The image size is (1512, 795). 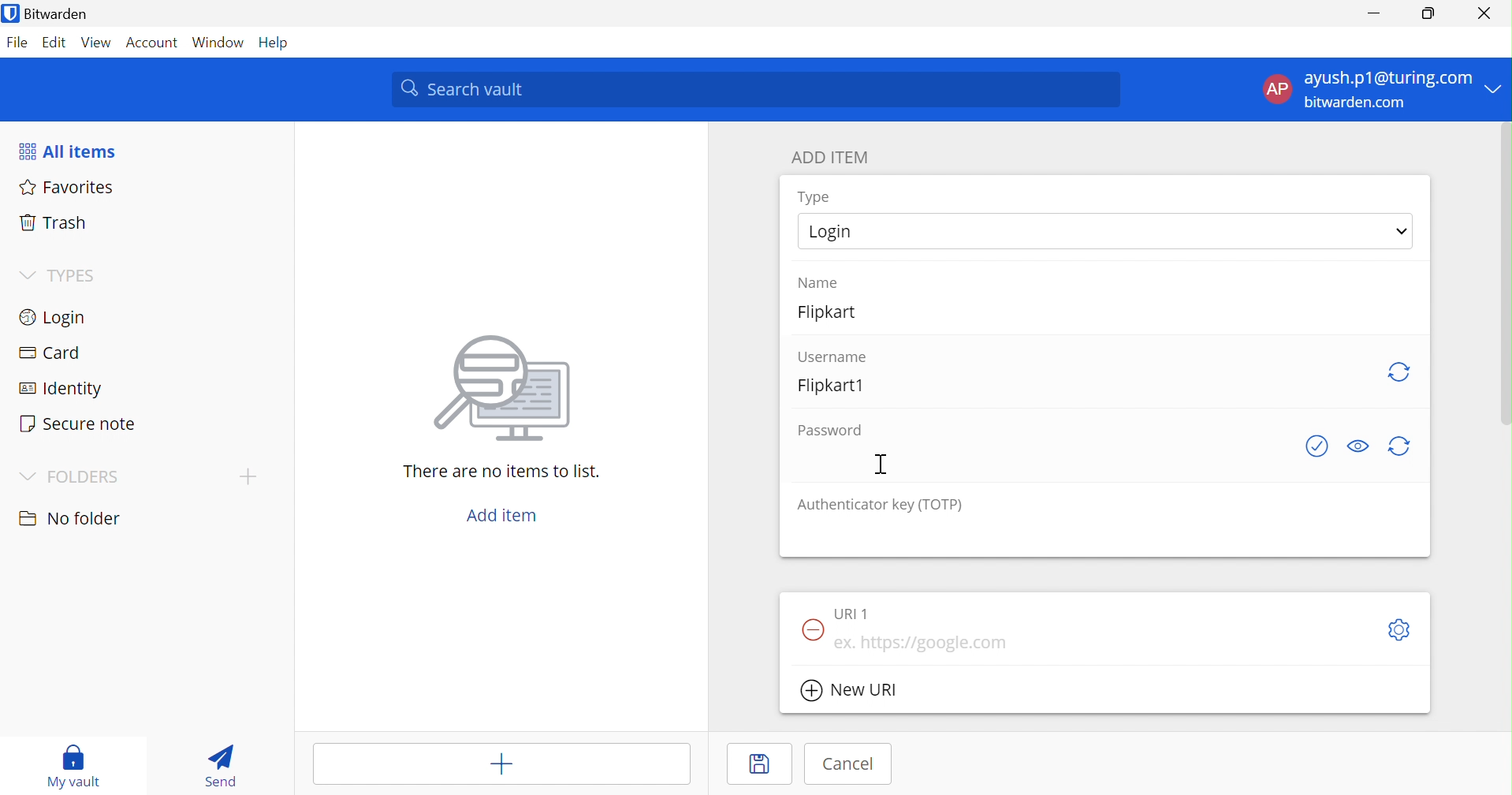 What do you see at coordinates (220, 43) in the screenshot?
I see `Windows` at bounding box center [220, 43].